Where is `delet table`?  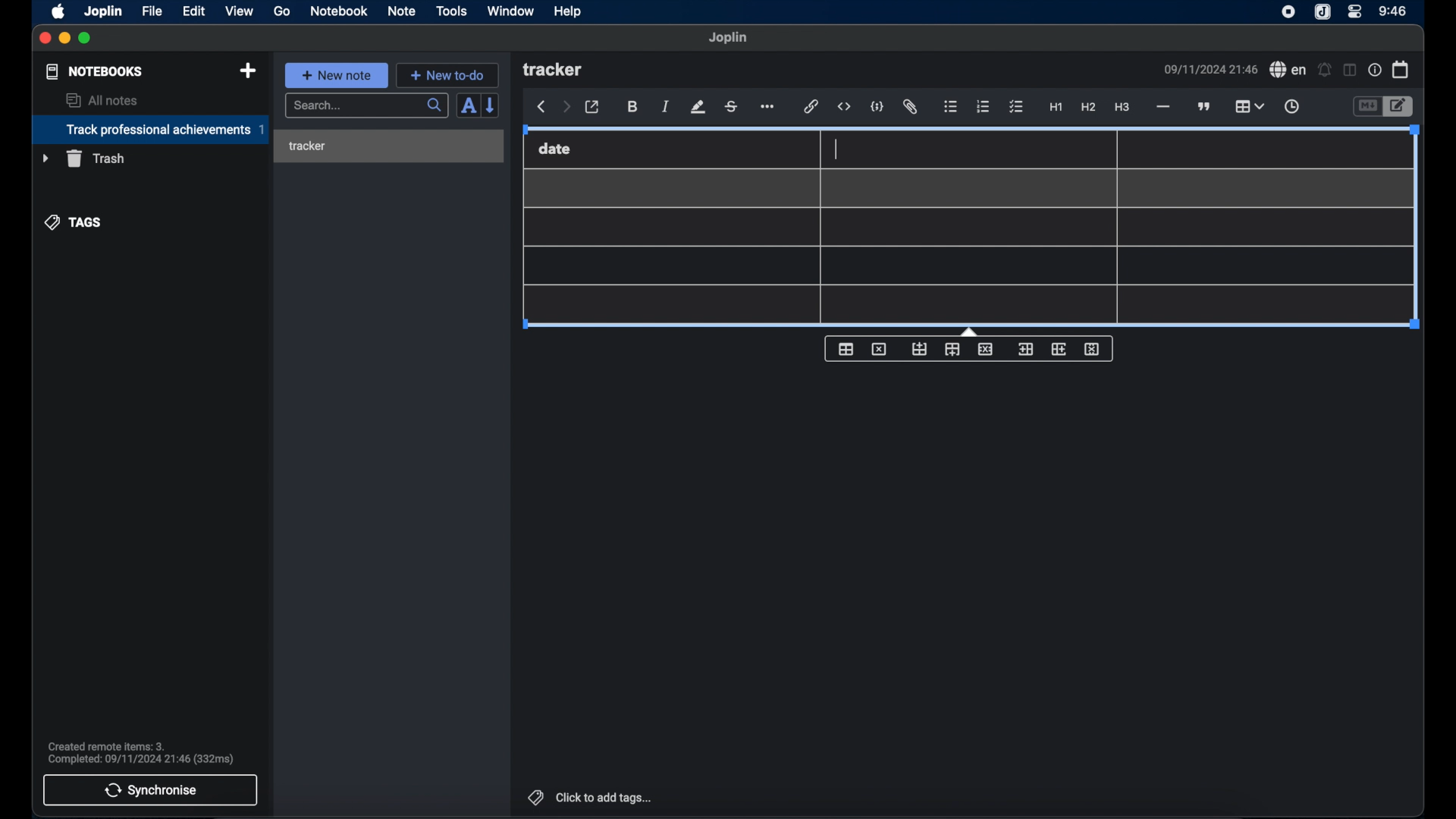 delet table is located at coordinates (879, 348).